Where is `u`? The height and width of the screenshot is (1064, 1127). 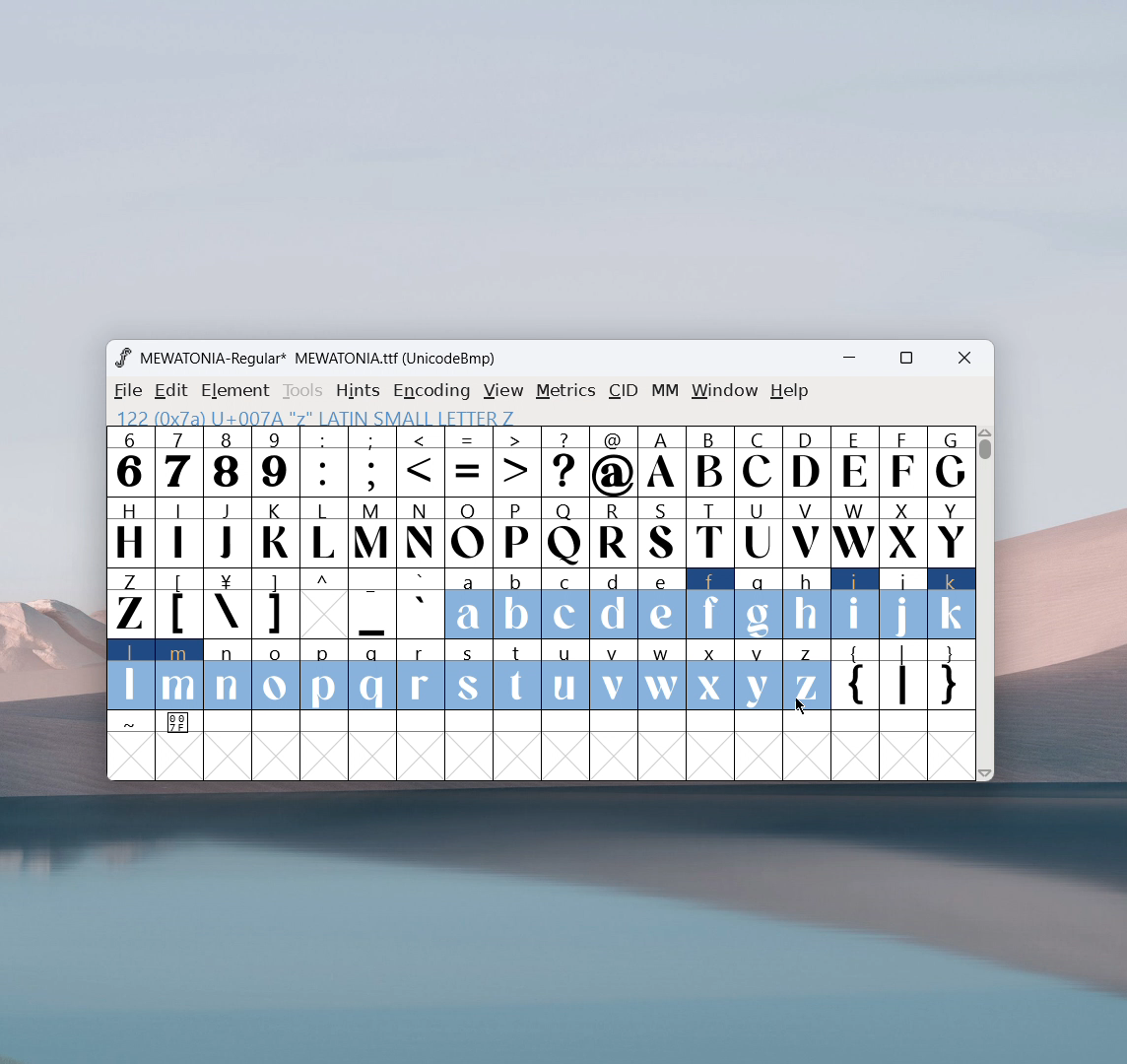
u is located at coordinates (564, 675).